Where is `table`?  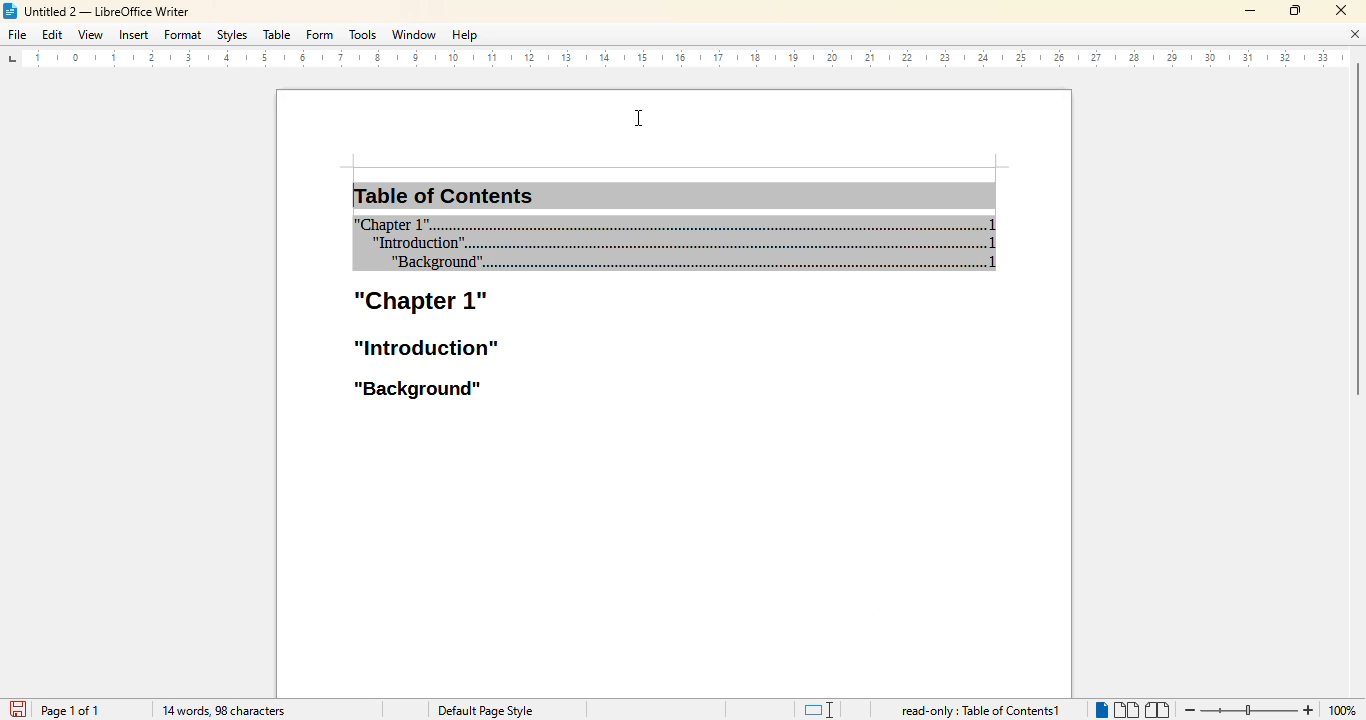 table is located at coordinates (277, 34).